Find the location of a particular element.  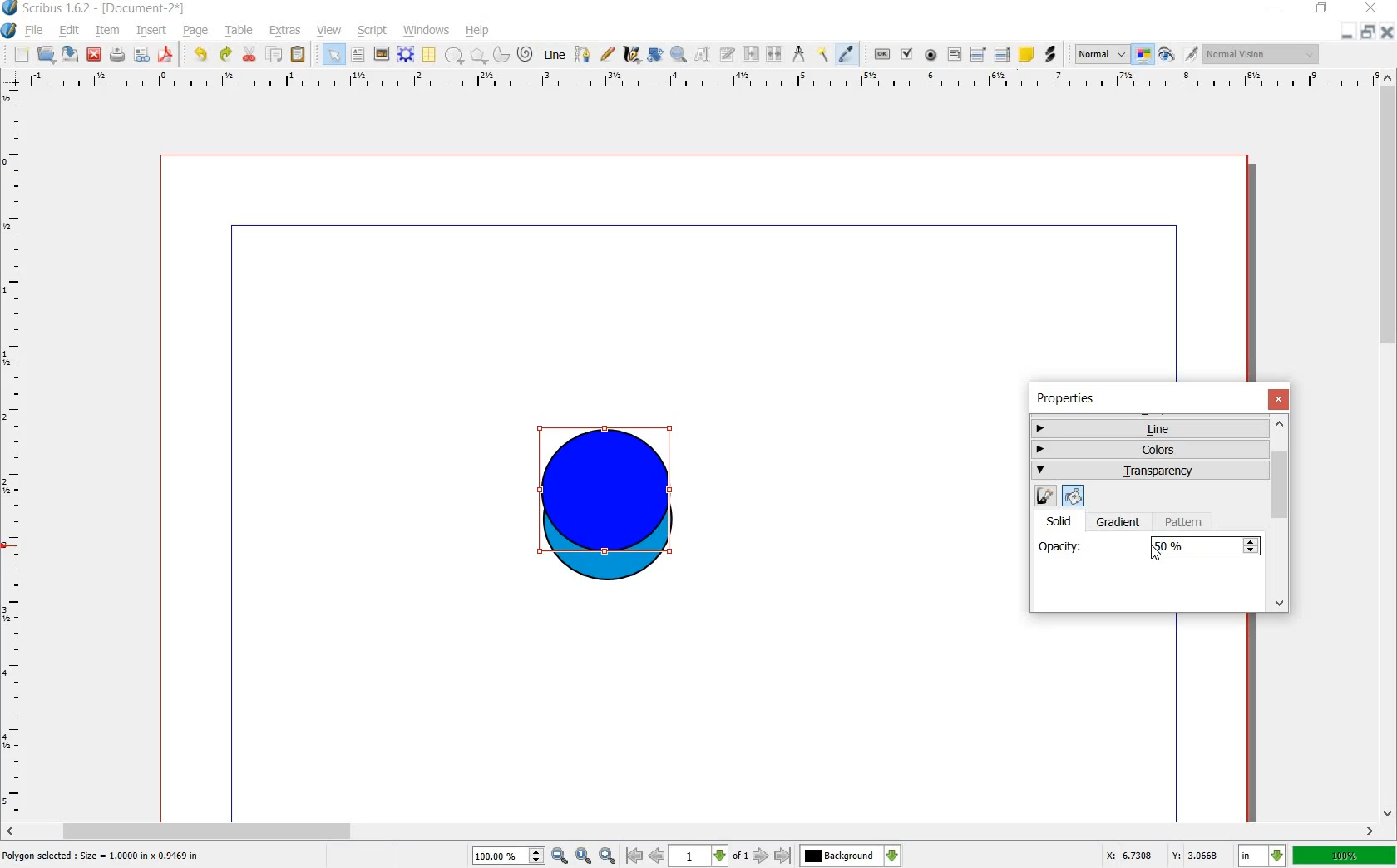

link text frames is located at coordinates (752, 55).